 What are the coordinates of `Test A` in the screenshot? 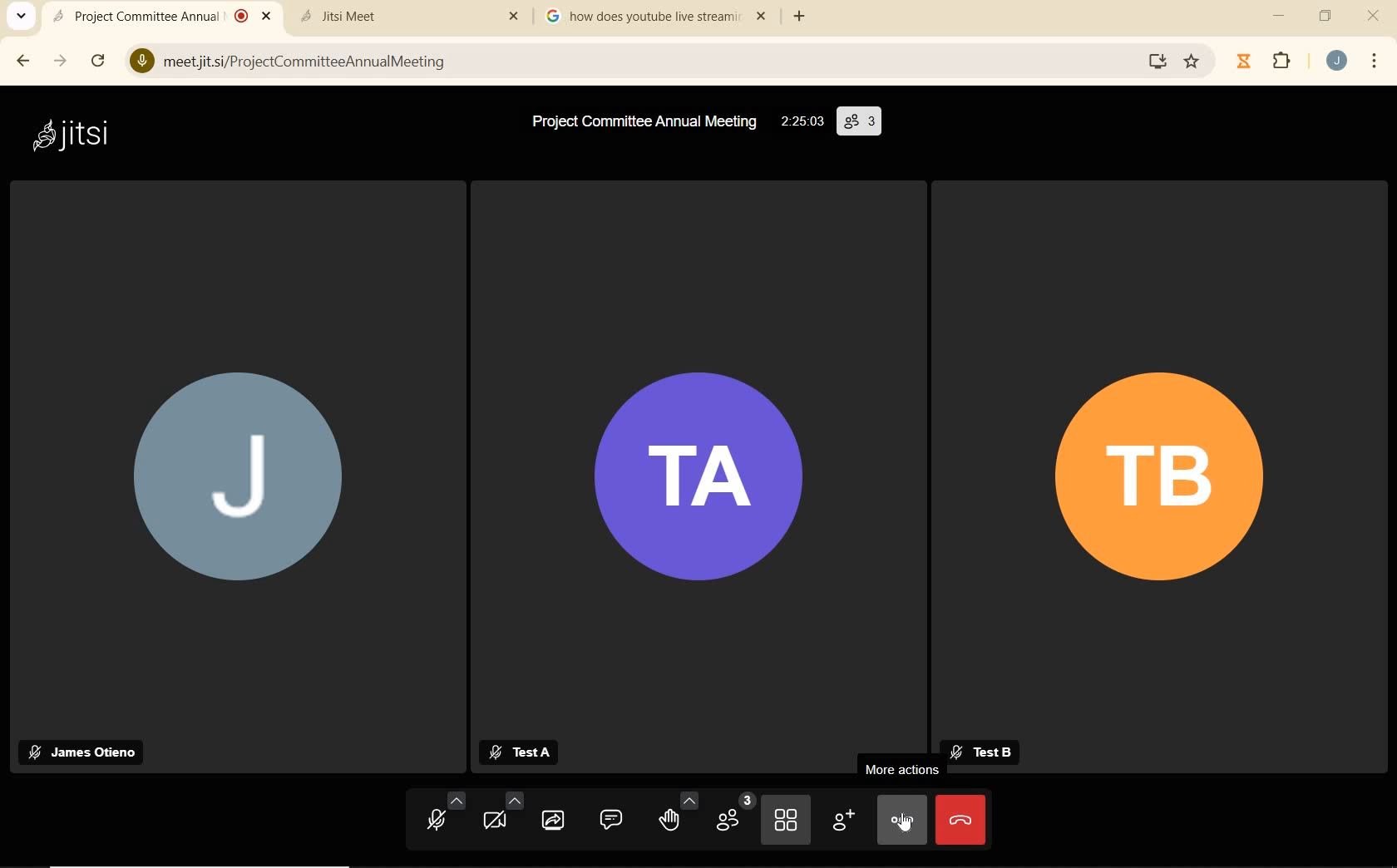 It's located at (521, 752).